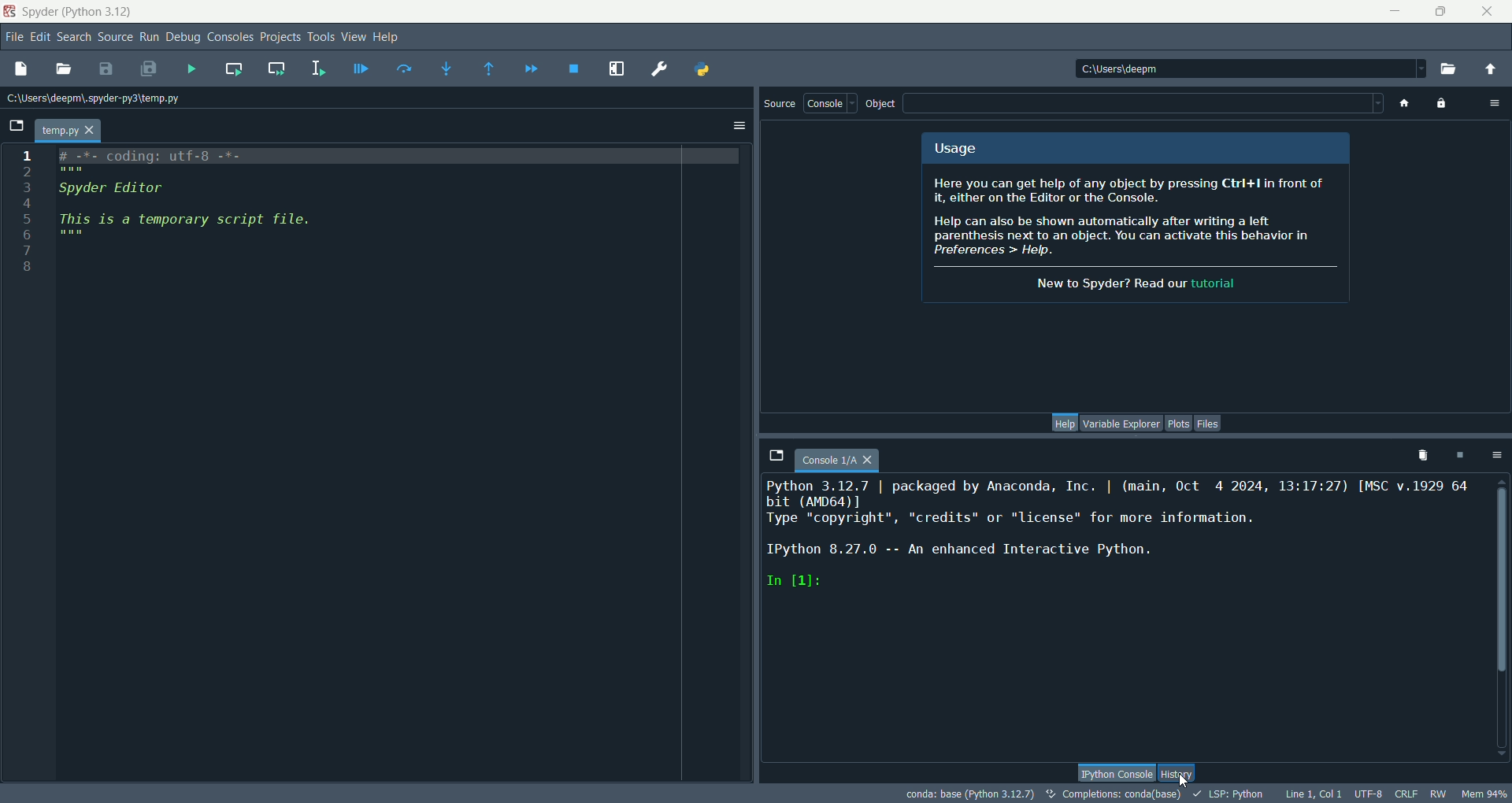  I want to click on lock, so click(1442, 105).